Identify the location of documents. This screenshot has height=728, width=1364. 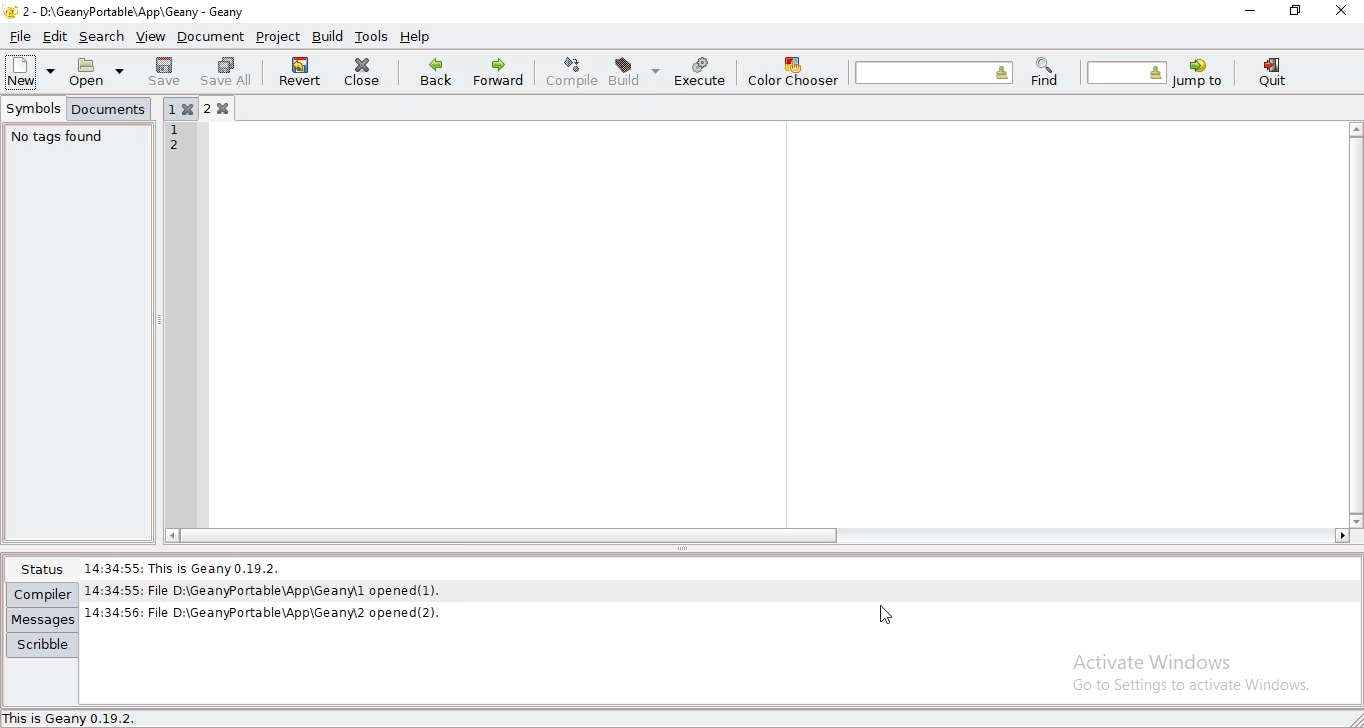
(110, 110).